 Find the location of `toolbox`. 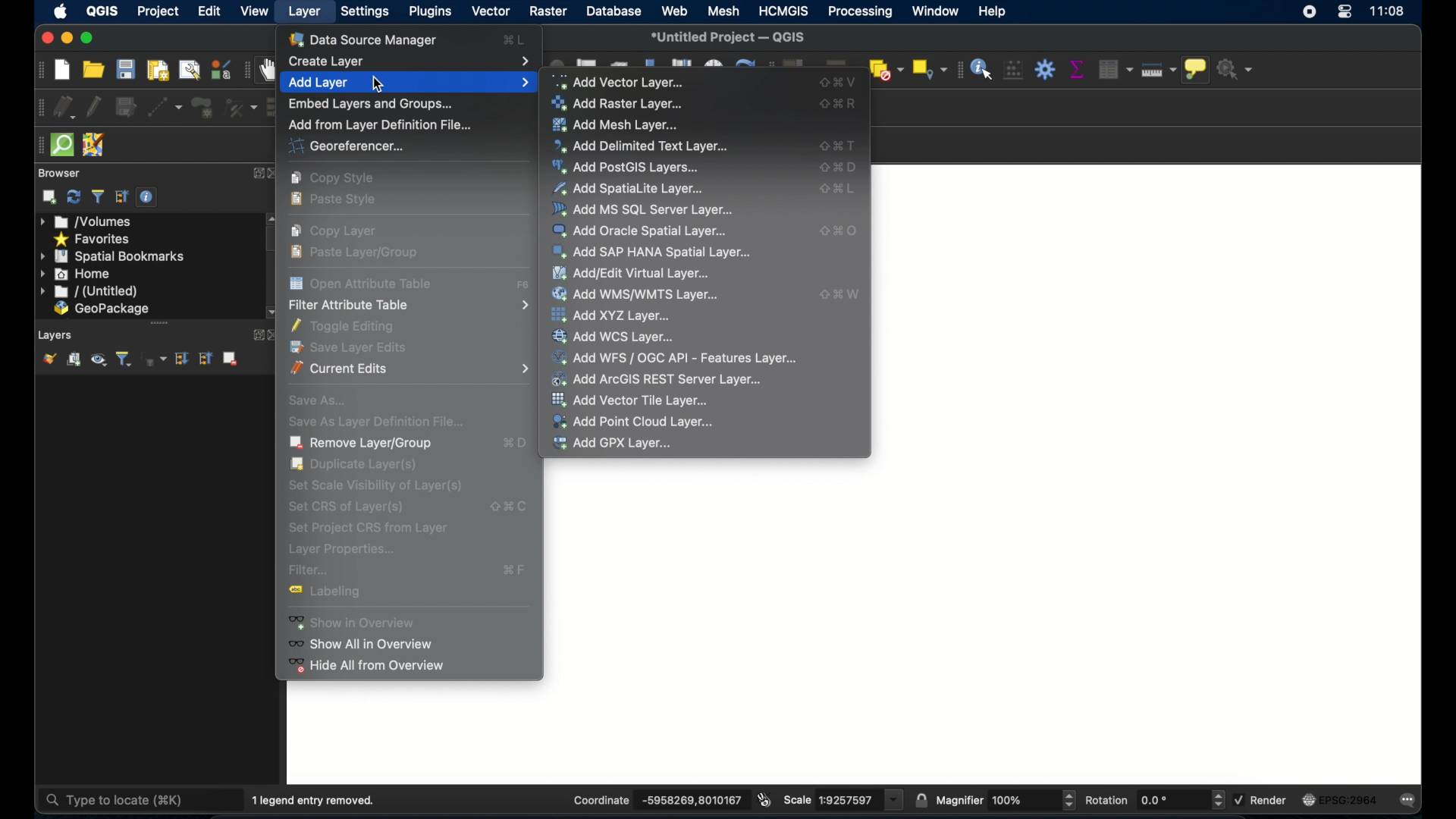

toolbox is located at coordinates (1046, 69).